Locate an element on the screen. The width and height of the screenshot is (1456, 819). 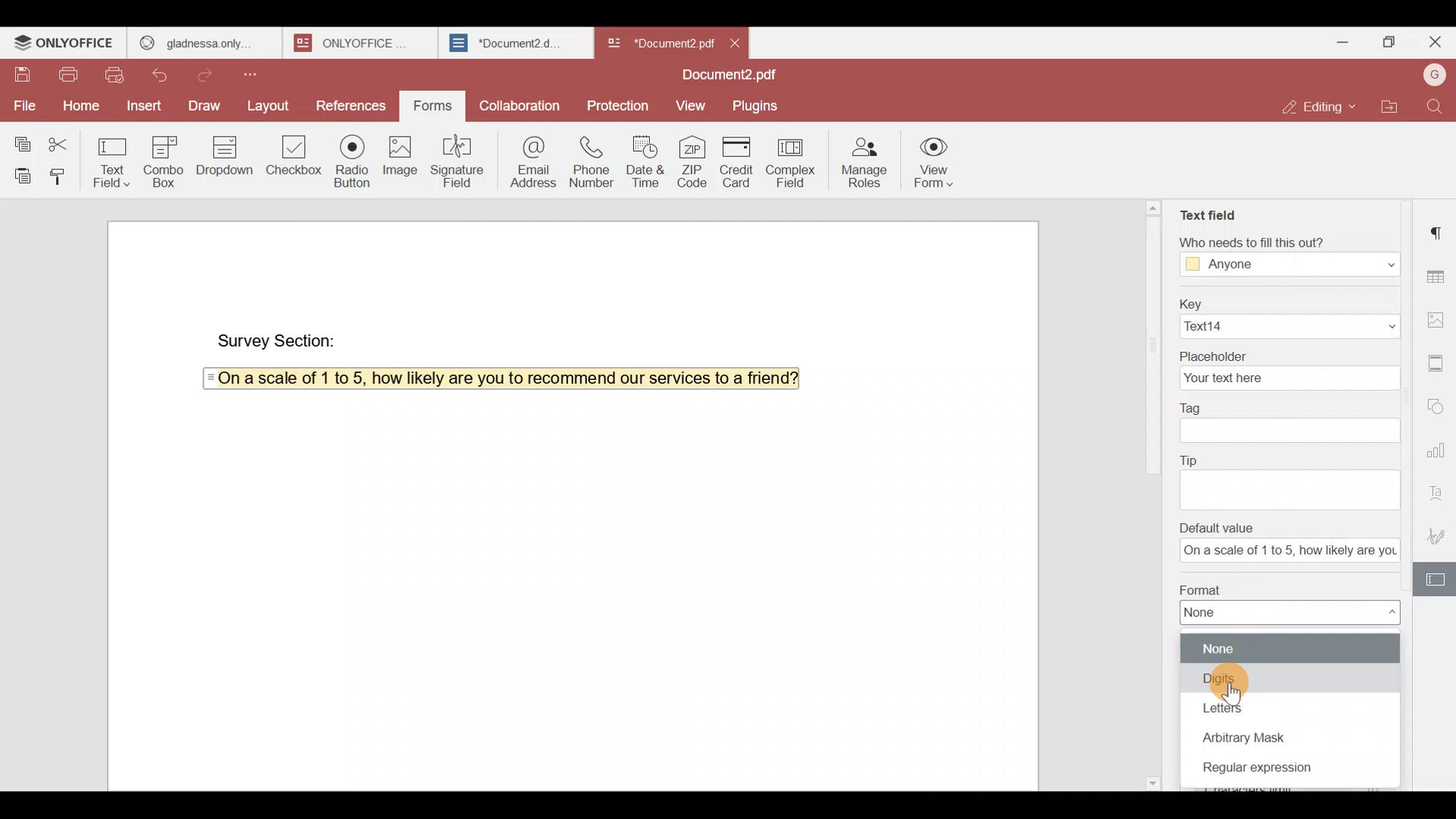
Text field is located at coordinates (112, 158).